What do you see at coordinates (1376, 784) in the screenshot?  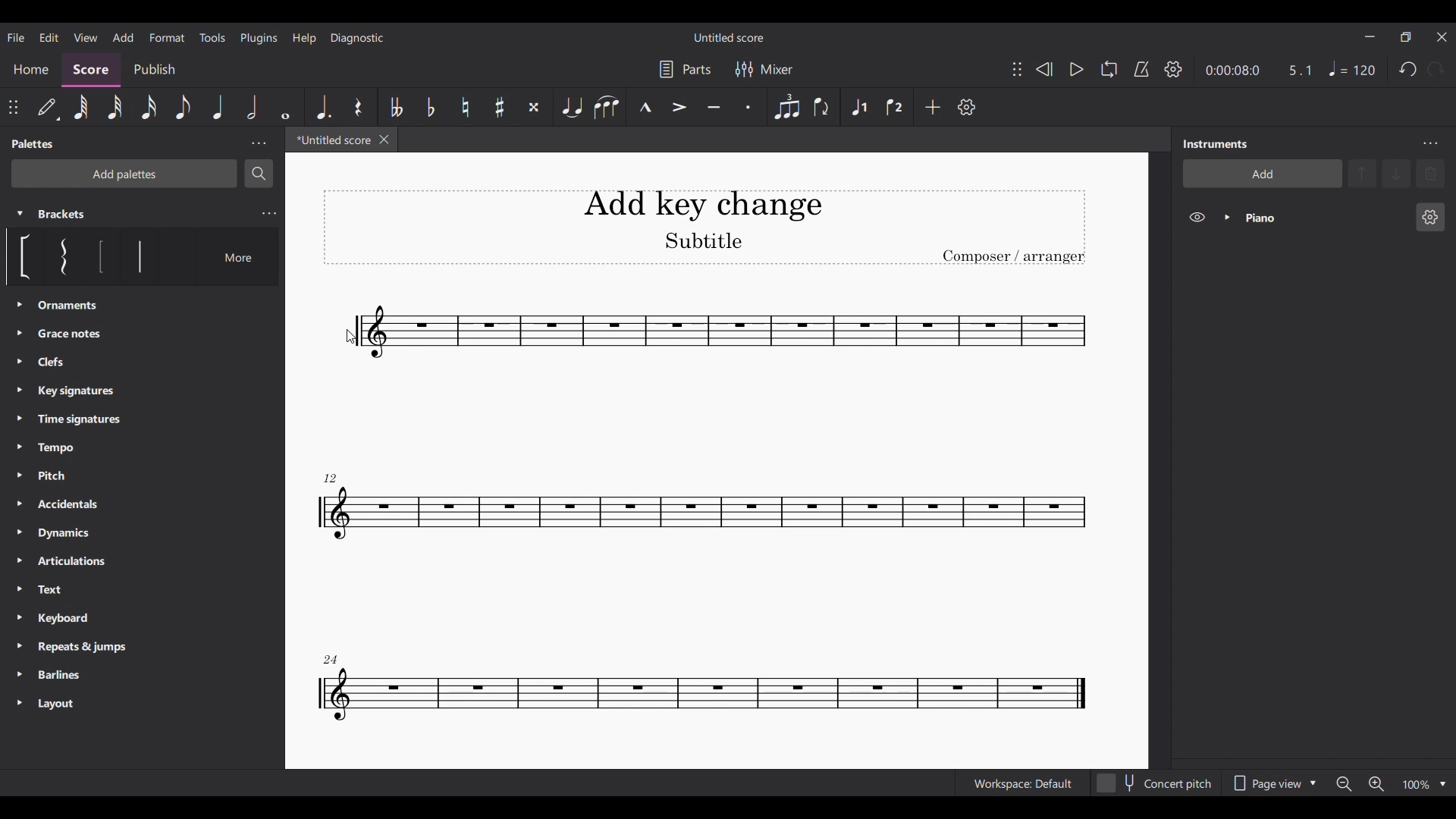 I see `Zoom in` at bounding box center [1376, 784].